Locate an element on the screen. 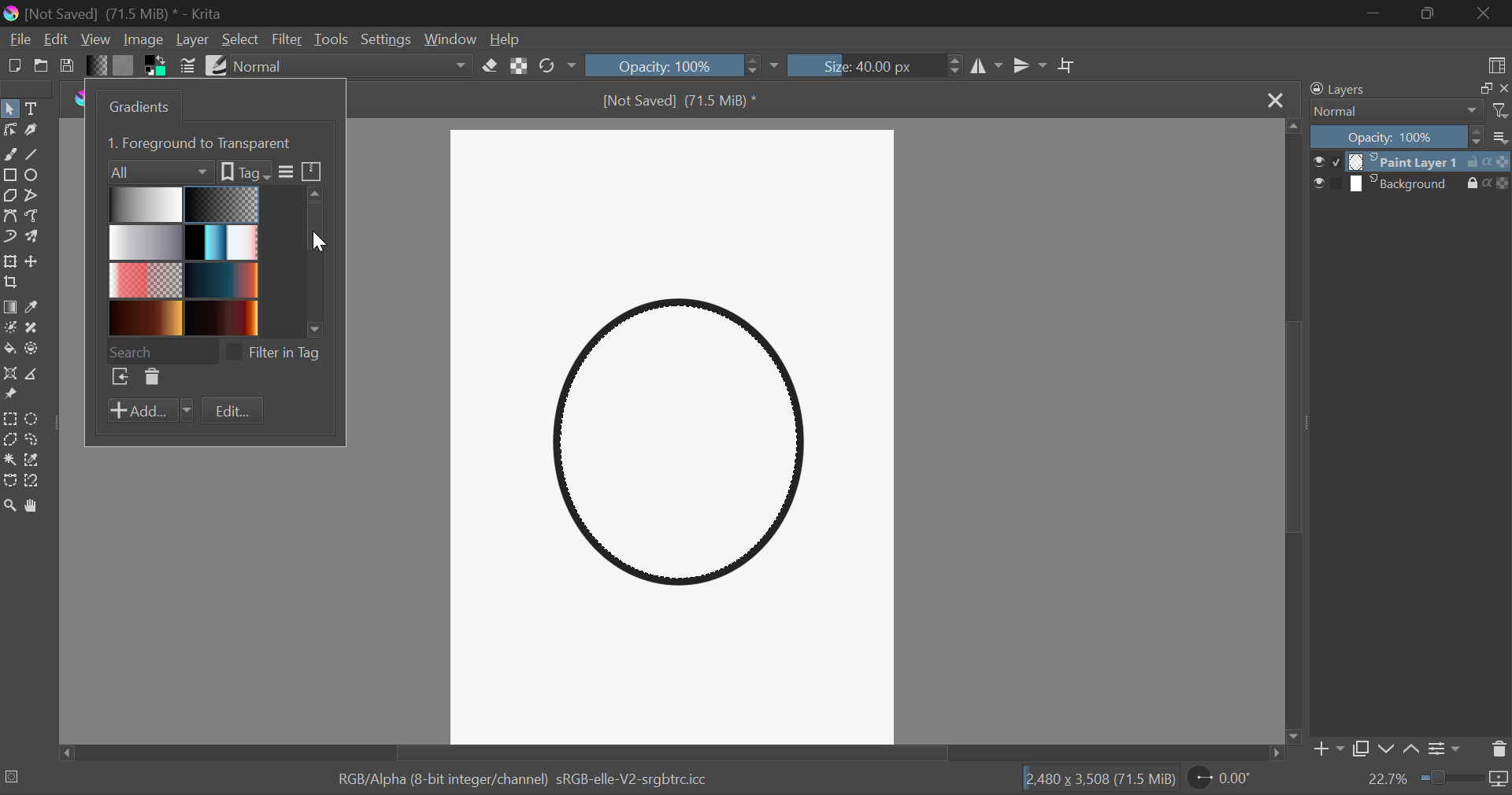 The width and height of the screenshot is (1512, 795). Layer is located at coordinates (193, 40).